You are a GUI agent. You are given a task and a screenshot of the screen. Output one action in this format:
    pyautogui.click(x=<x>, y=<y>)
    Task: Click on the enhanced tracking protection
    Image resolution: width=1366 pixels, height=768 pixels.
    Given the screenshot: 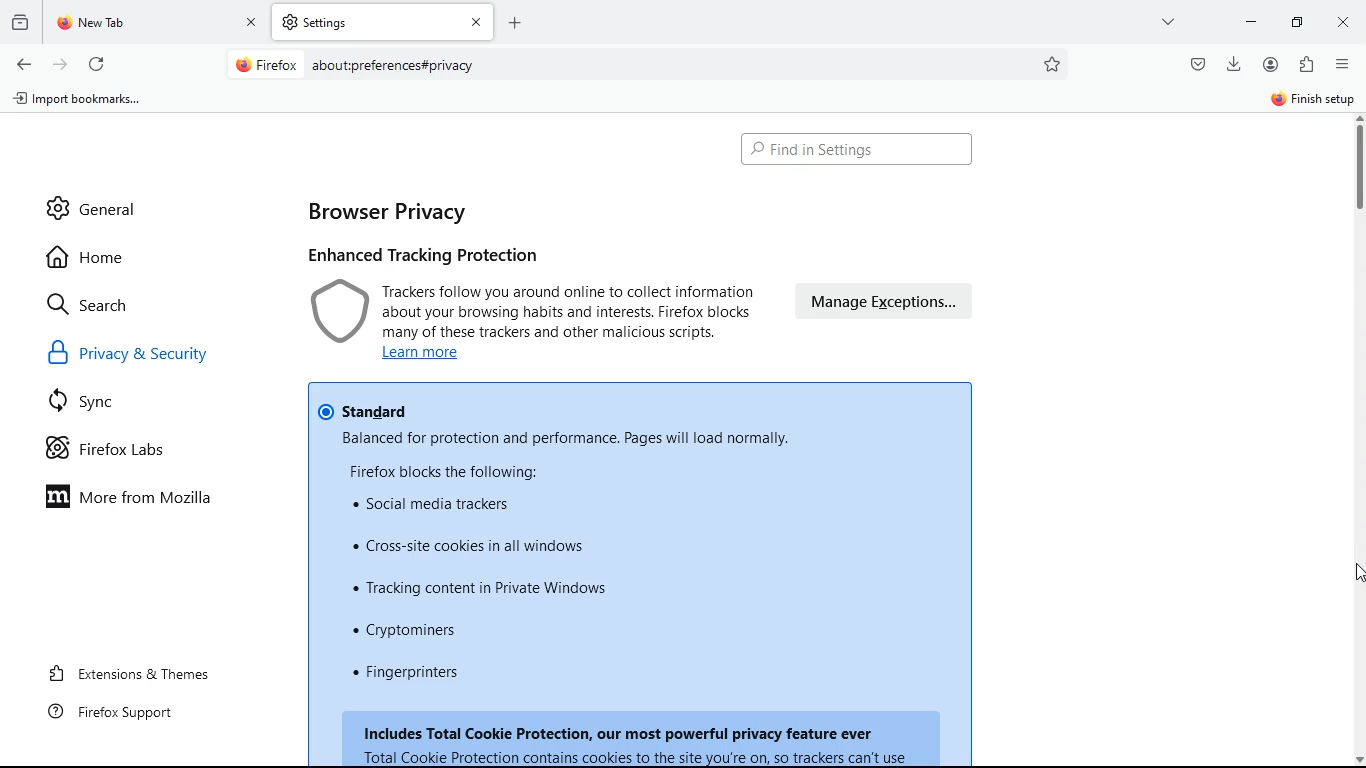 What is the action you would take?
    pyautogui.click(x=435, y=255)
    